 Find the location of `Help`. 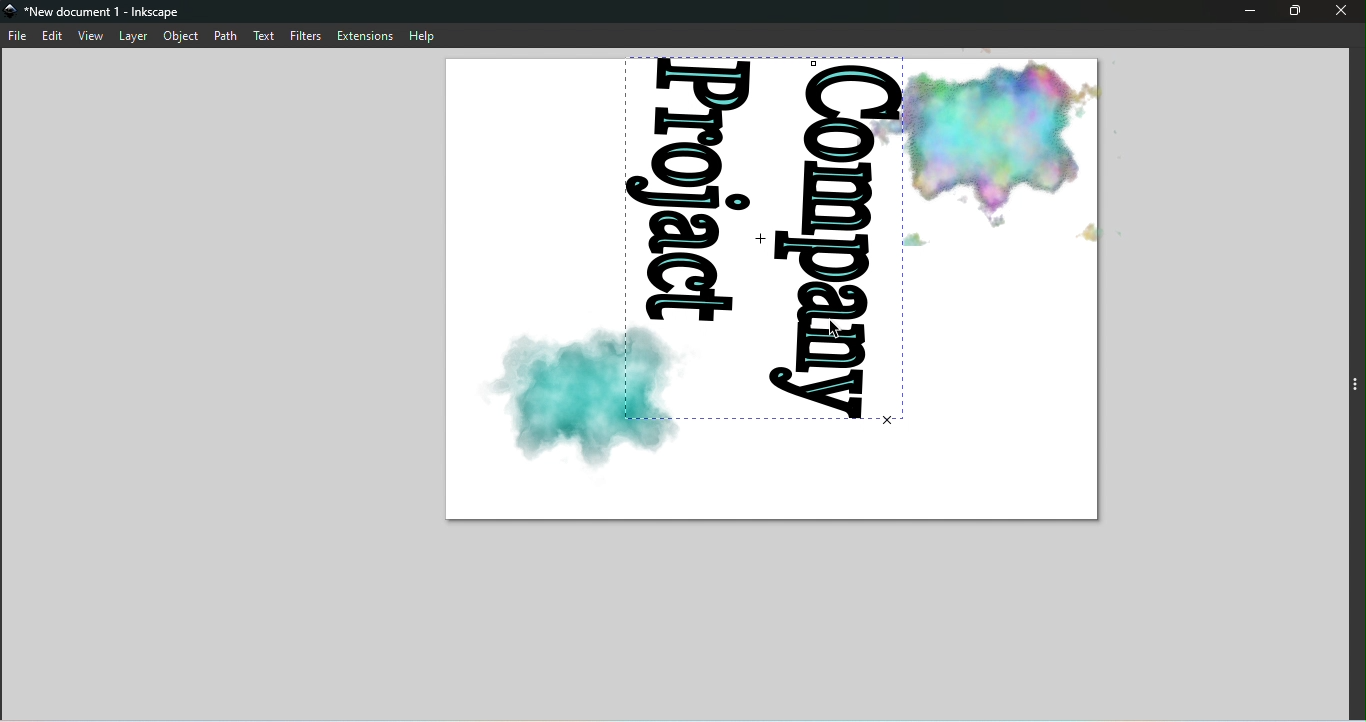

Help is located at coordinates (426, 34).